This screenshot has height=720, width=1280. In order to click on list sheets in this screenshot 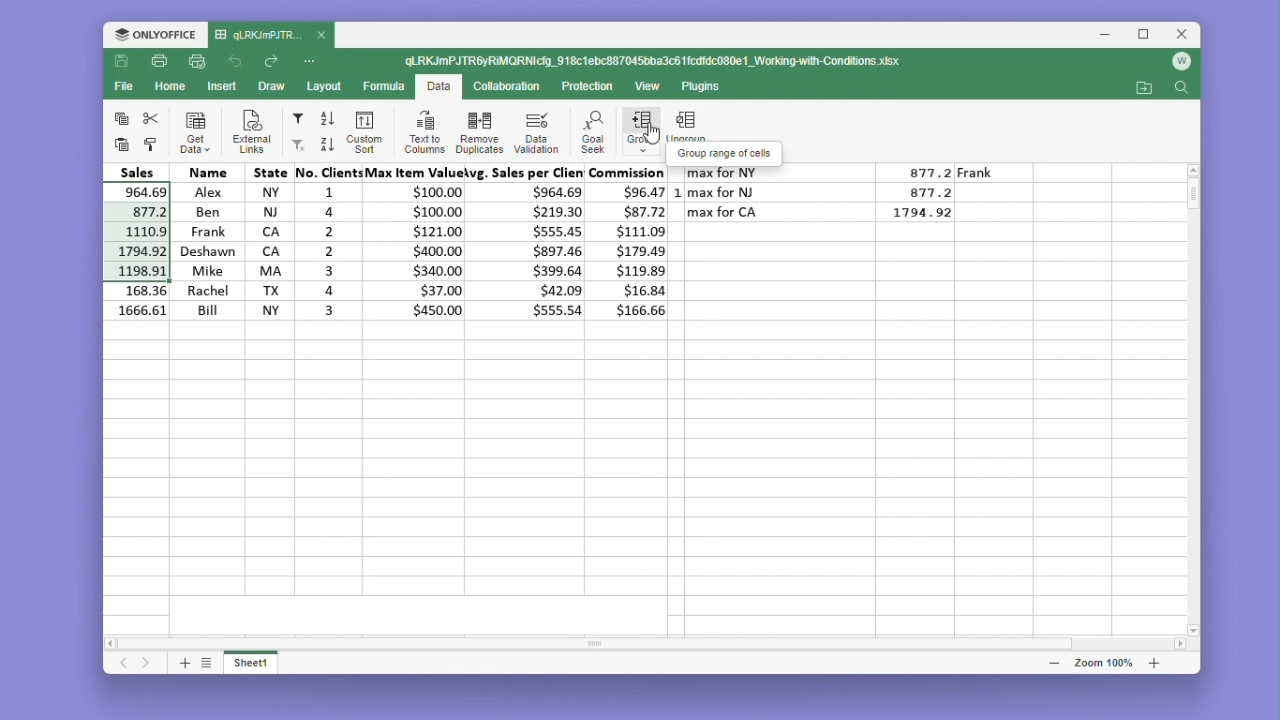, I will do `click(207, 662)`.